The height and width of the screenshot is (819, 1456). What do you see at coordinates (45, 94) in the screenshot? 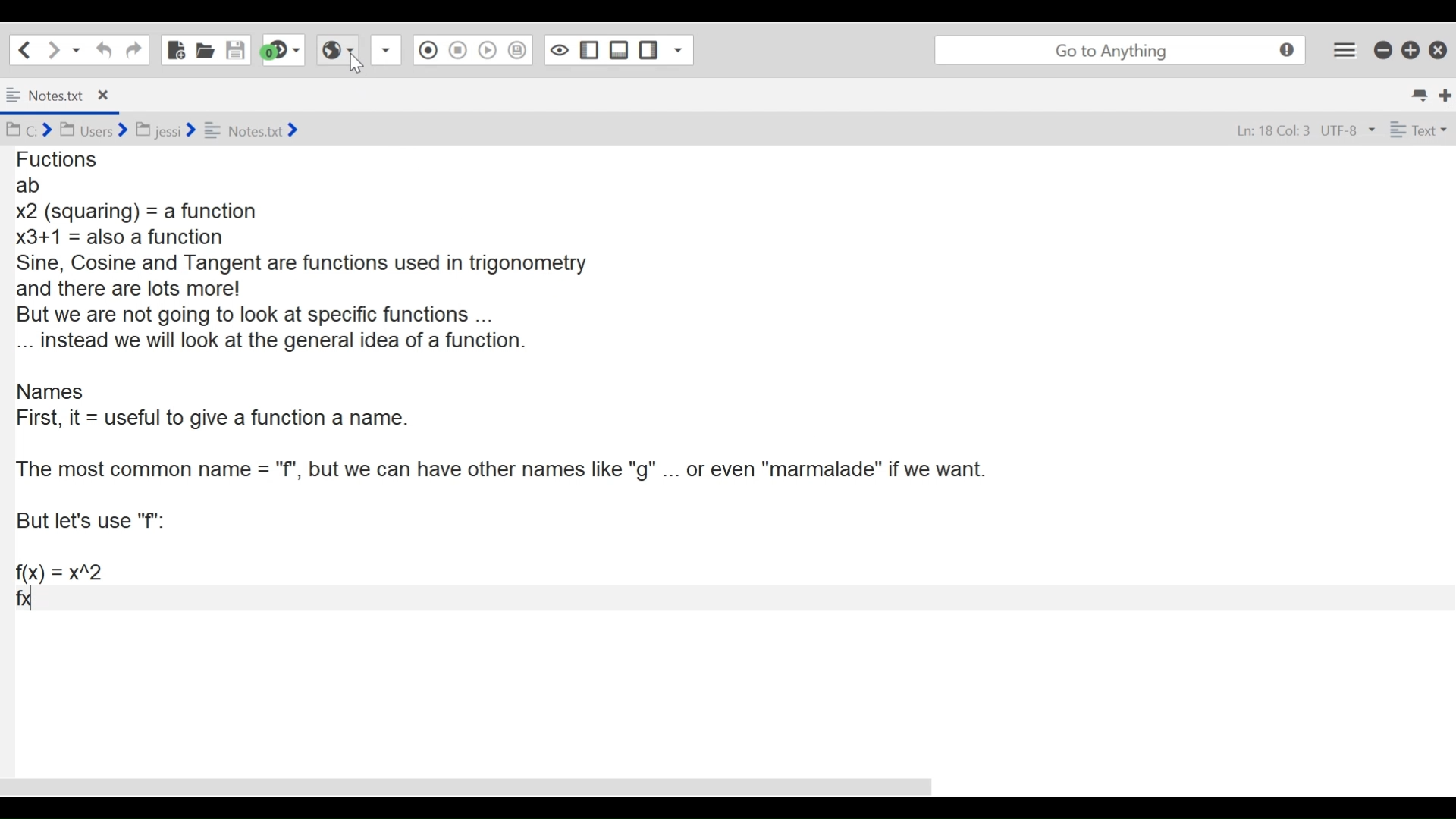
I see `Notes.txt` at bounding box center [45, 94].